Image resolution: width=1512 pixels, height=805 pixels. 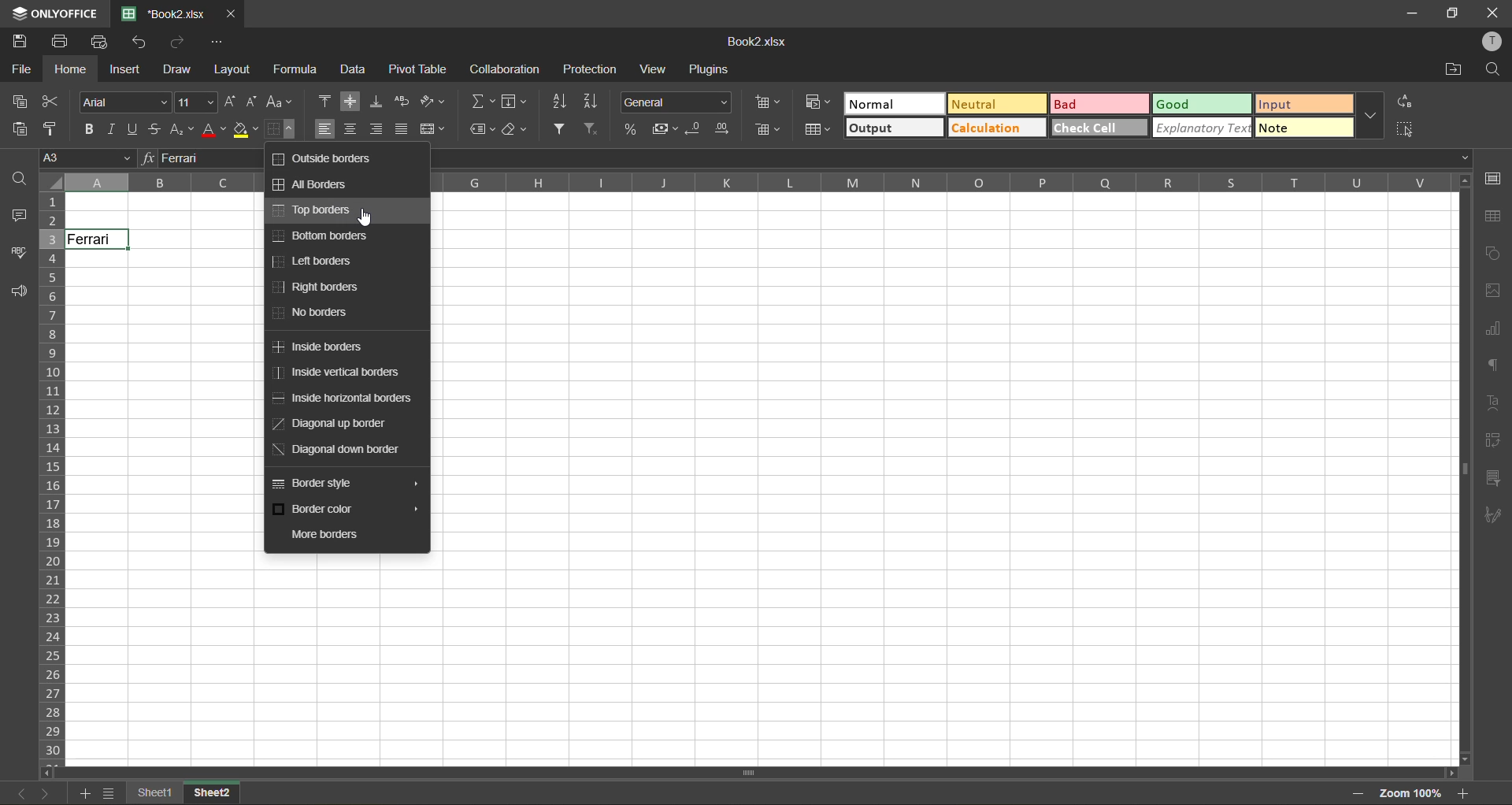 What do you see at coordinates (322, 346) in the screenshot?
I see `inside borders` at bounding box center [322, 346].